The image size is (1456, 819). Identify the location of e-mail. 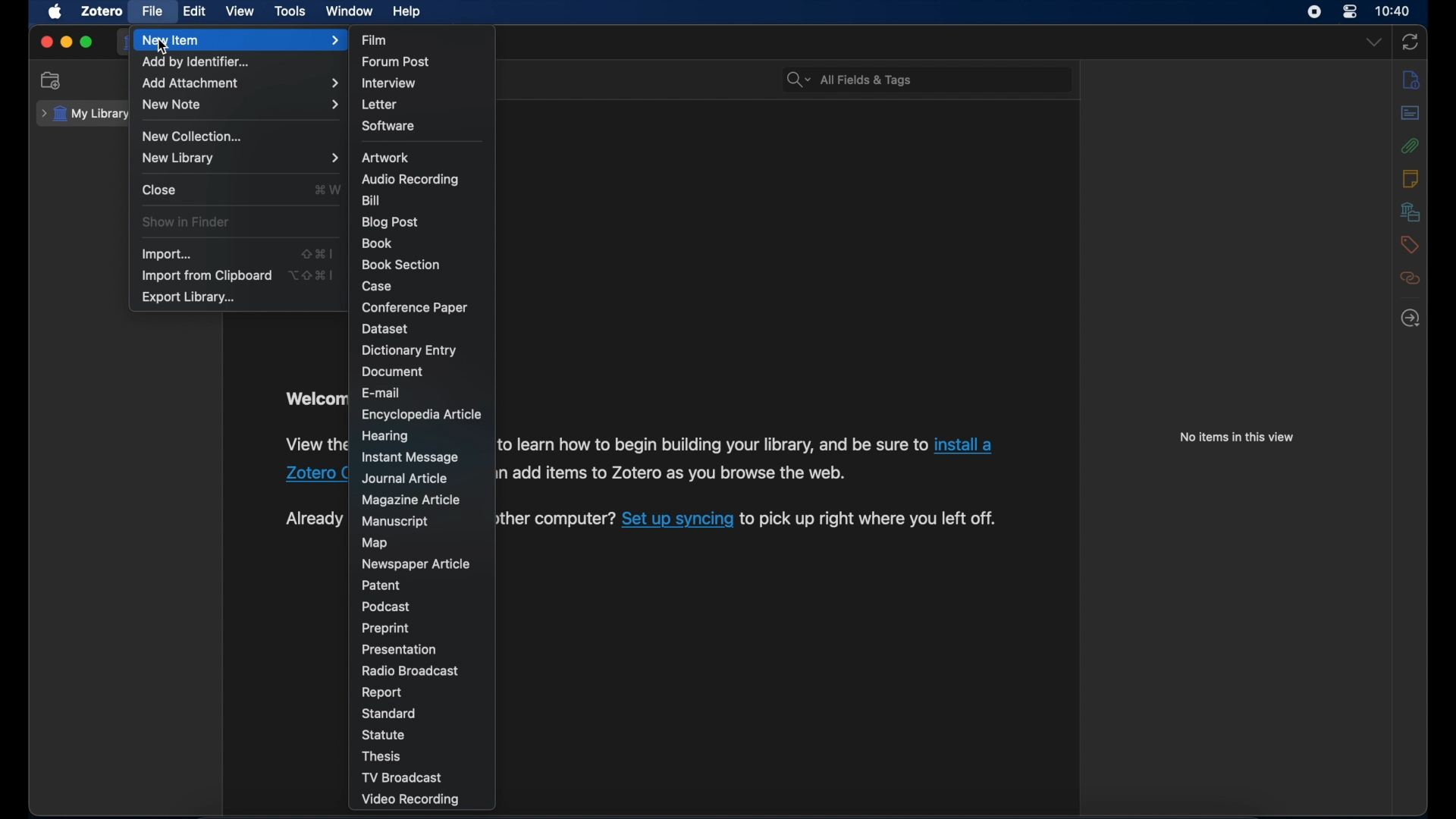
(382, 393).